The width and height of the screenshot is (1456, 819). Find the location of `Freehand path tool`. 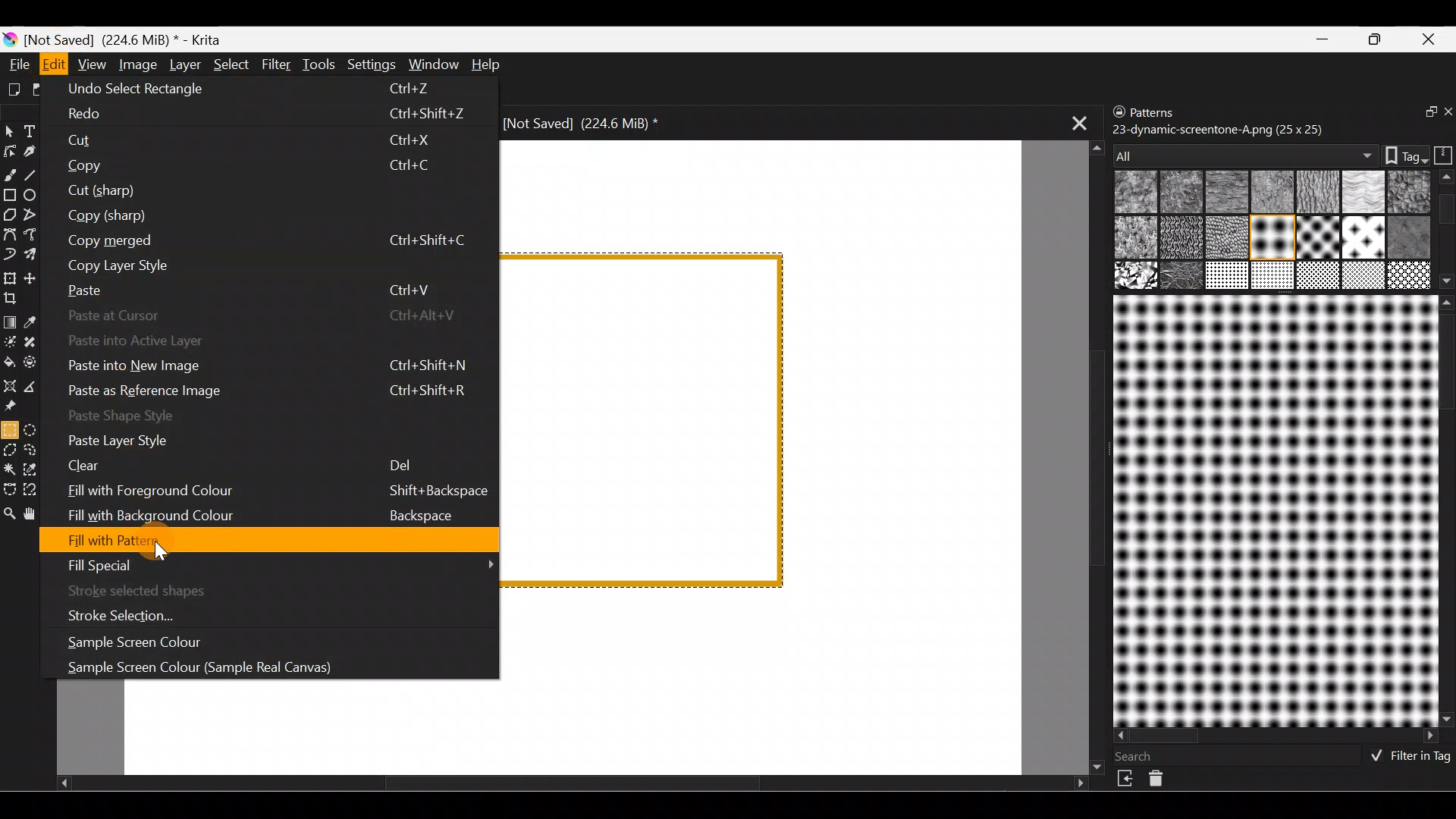

Freehand path tool is located at coordinates (33, 234).